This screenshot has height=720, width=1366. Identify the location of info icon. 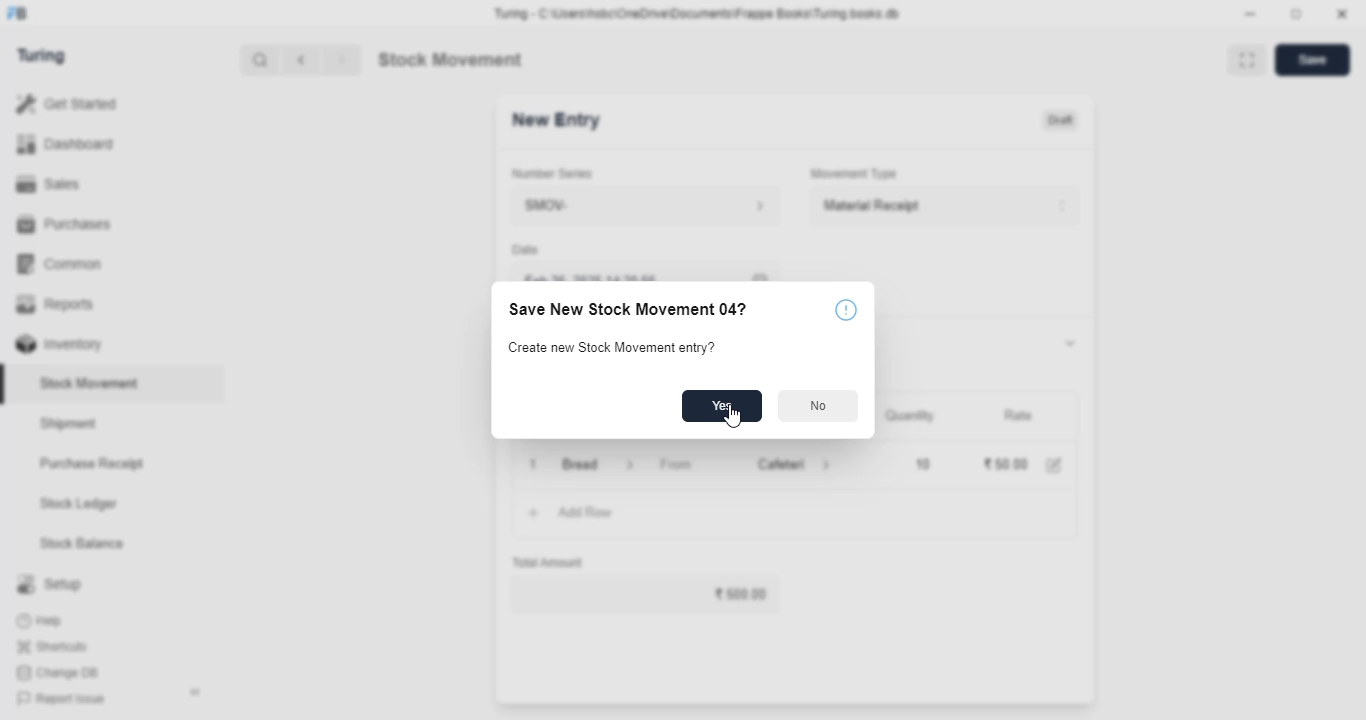
(846, 309).